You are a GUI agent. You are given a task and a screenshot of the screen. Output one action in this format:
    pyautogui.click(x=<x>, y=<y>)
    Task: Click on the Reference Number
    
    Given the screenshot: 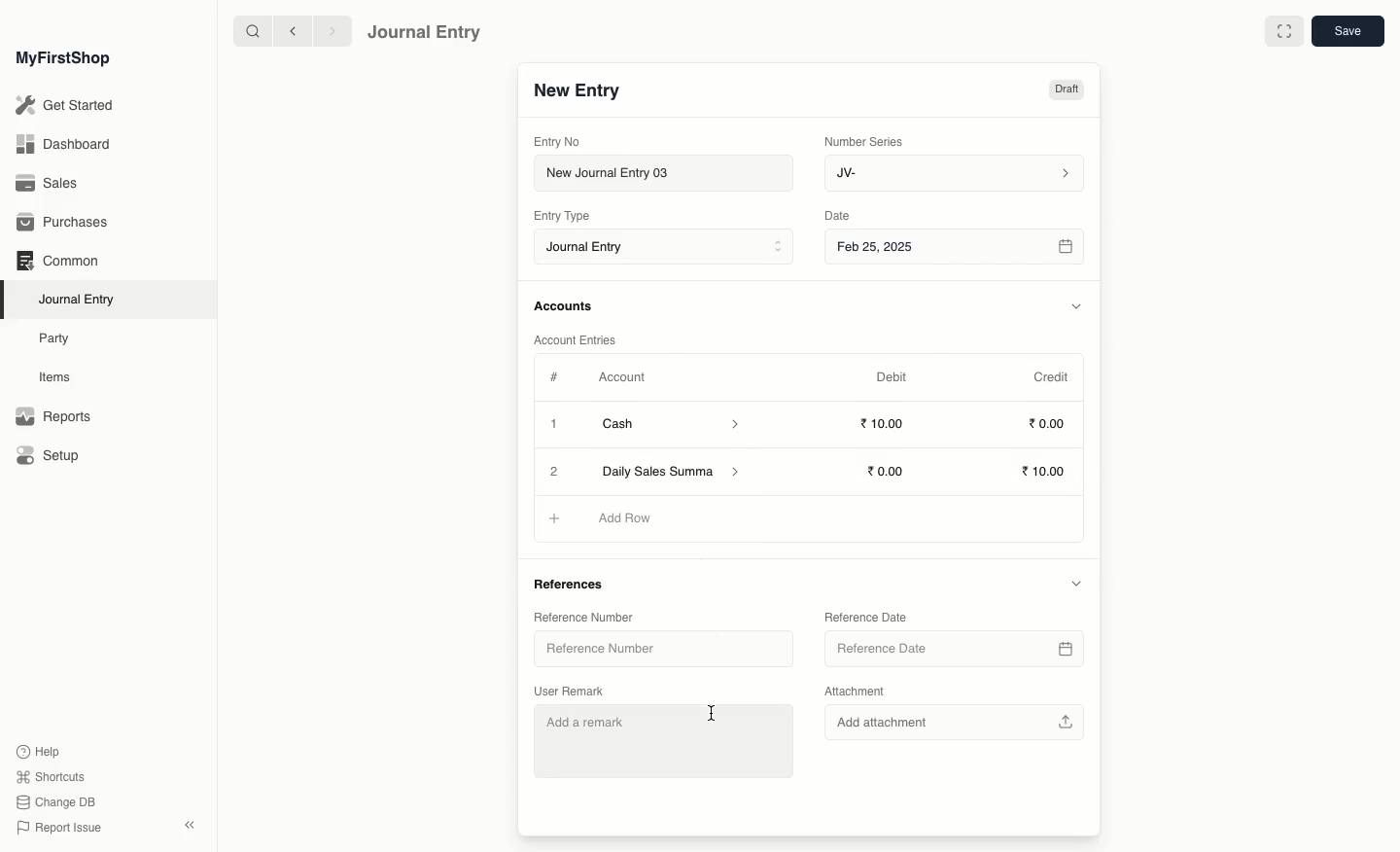 What is the action you would take?
    pyautogui.click(x=608, y=652)
    